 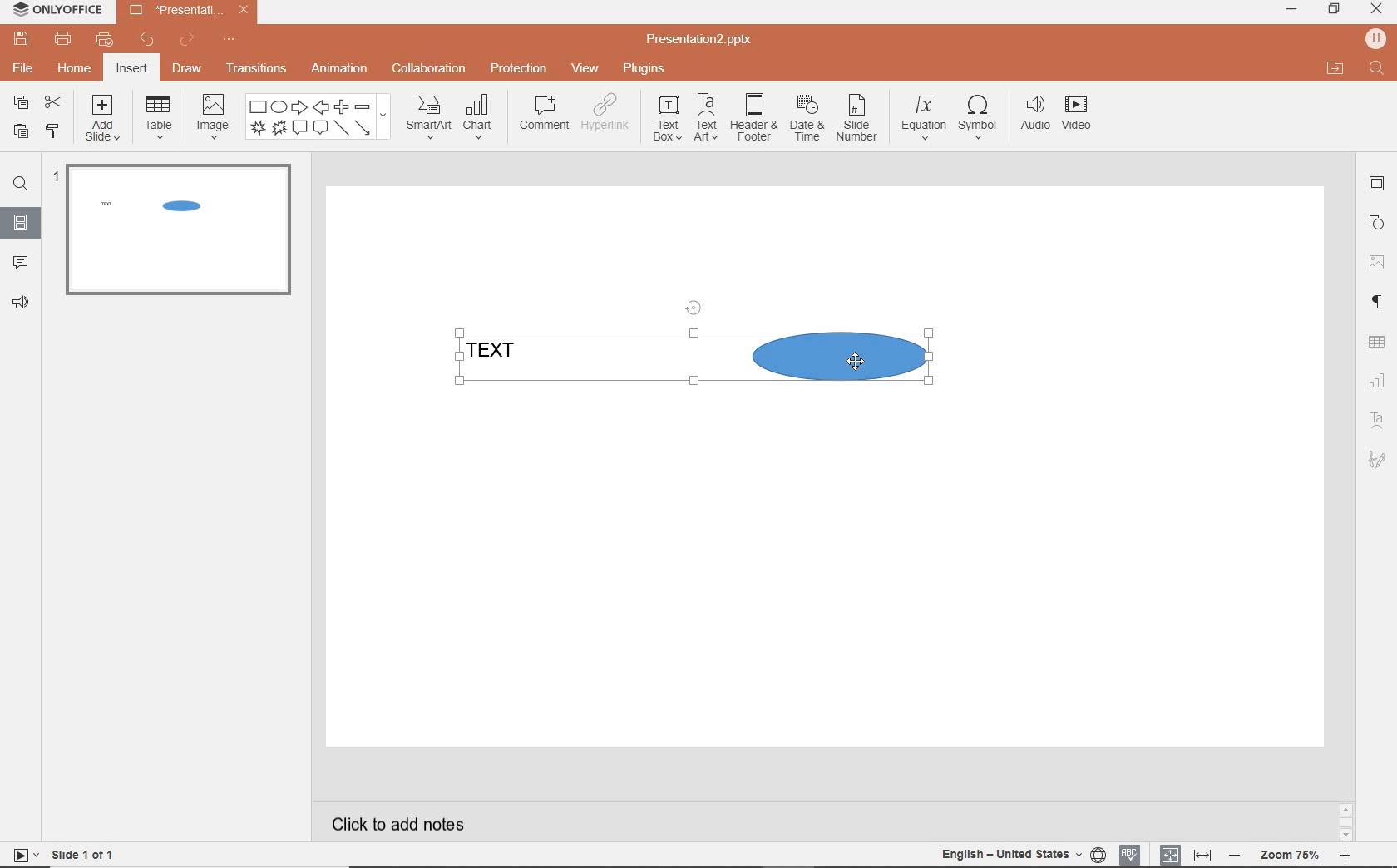 What do you see at coordinates (1078, 116) in the screenshot?
I see `video` at bounding box center [1078, 116].